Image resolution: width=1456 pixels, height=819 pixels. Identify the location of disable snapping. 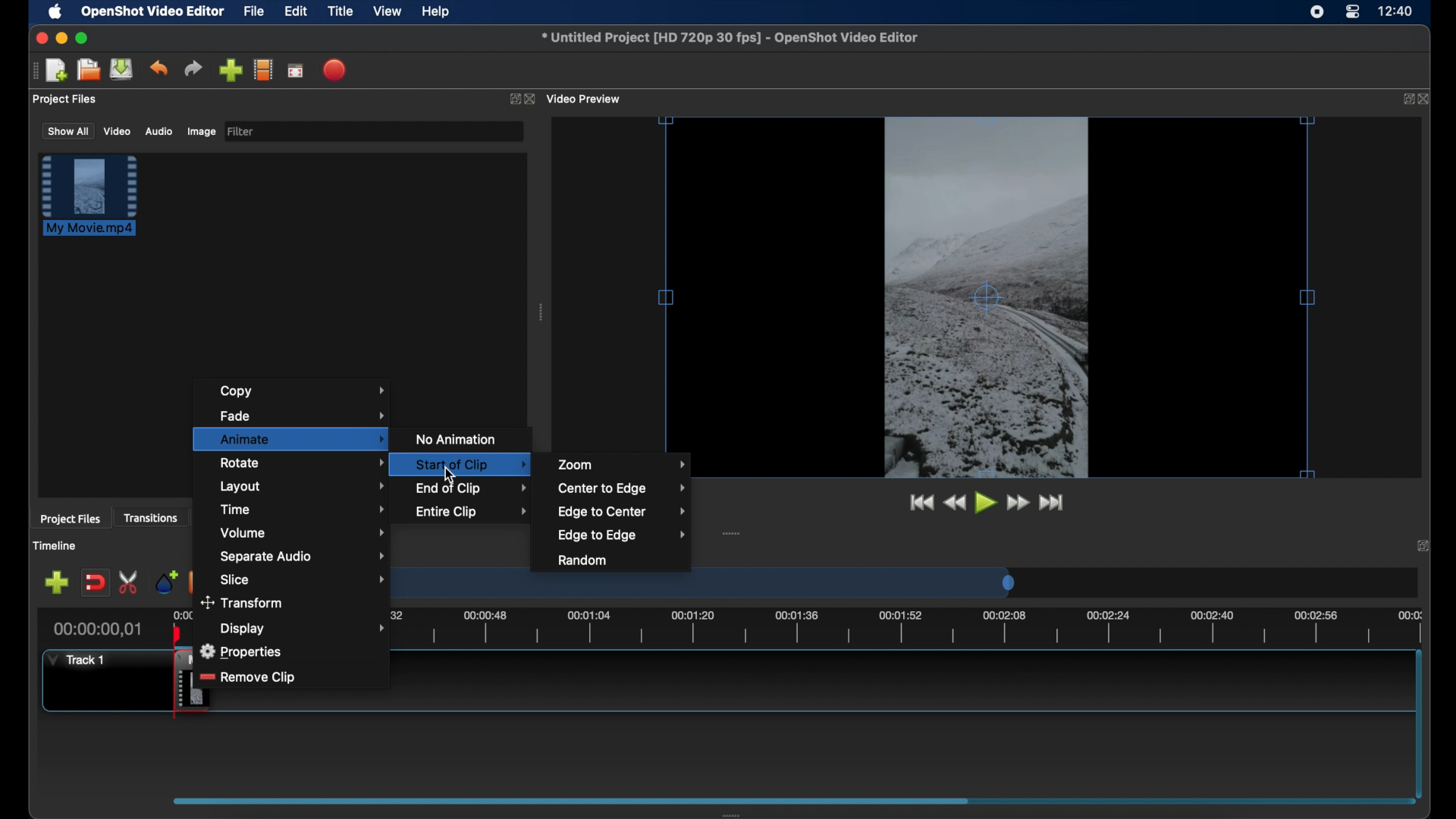
(95, 583).